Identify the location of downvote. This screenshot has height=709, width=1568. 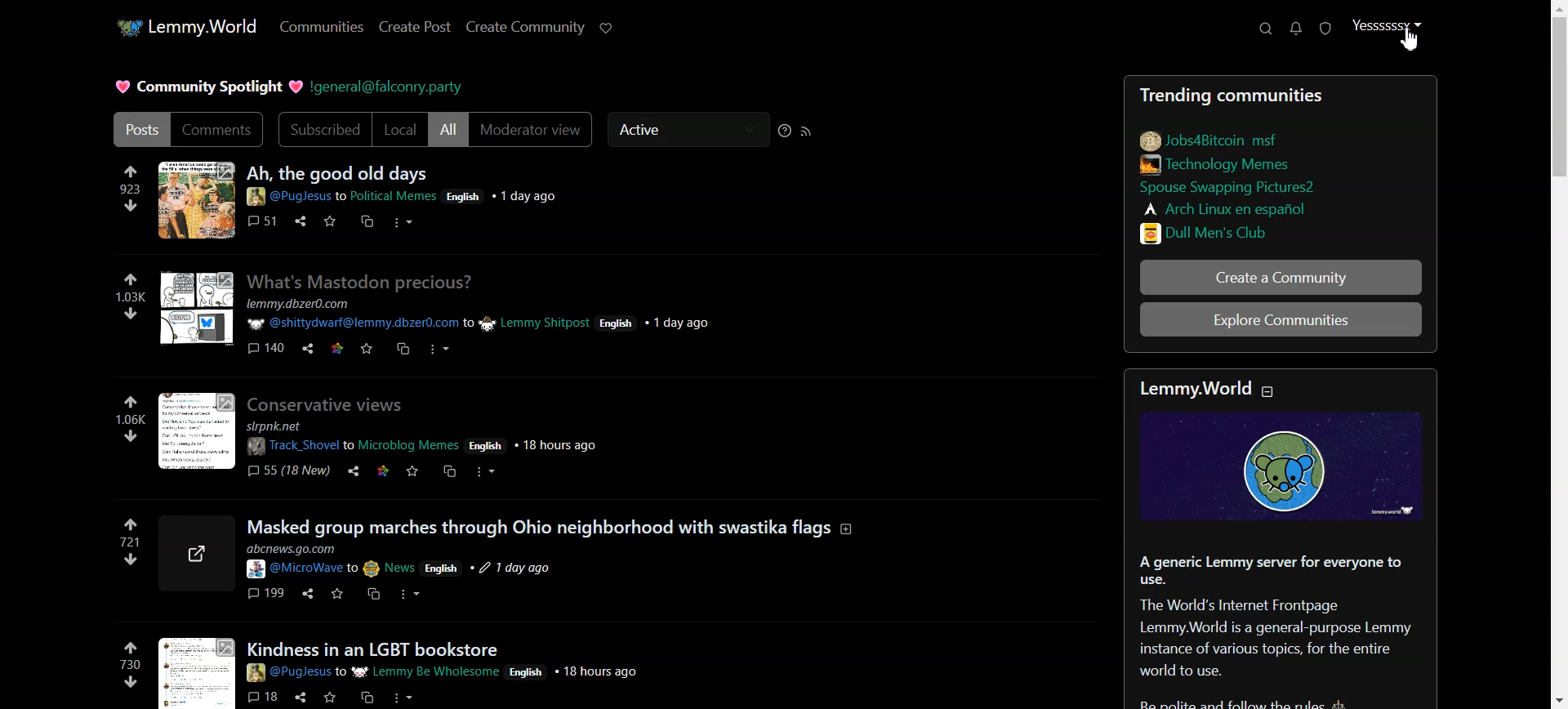
(131, 205).